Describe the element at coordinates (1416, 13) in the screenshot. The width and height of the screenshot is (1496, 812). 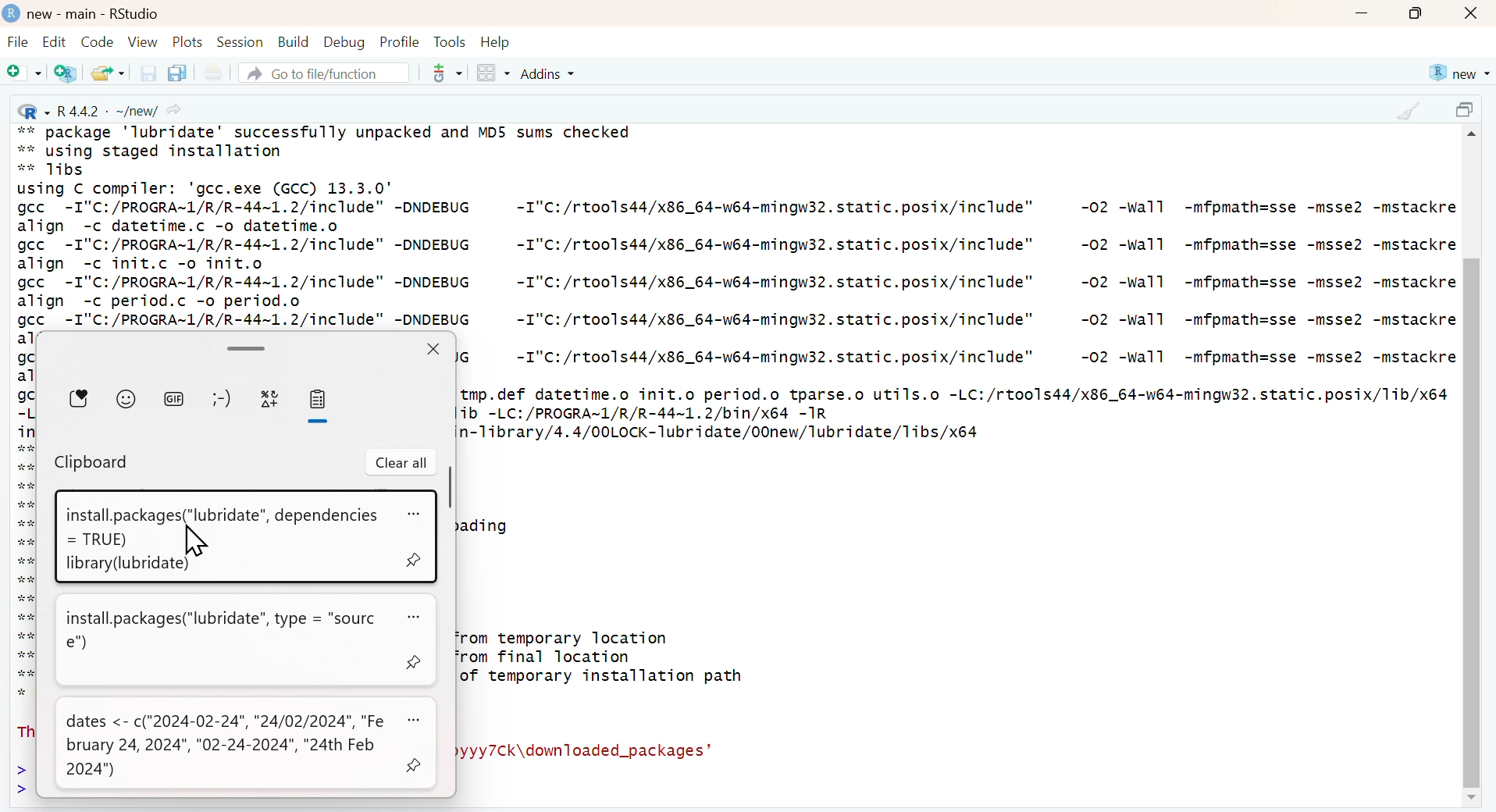
I see `maximize` at that location.